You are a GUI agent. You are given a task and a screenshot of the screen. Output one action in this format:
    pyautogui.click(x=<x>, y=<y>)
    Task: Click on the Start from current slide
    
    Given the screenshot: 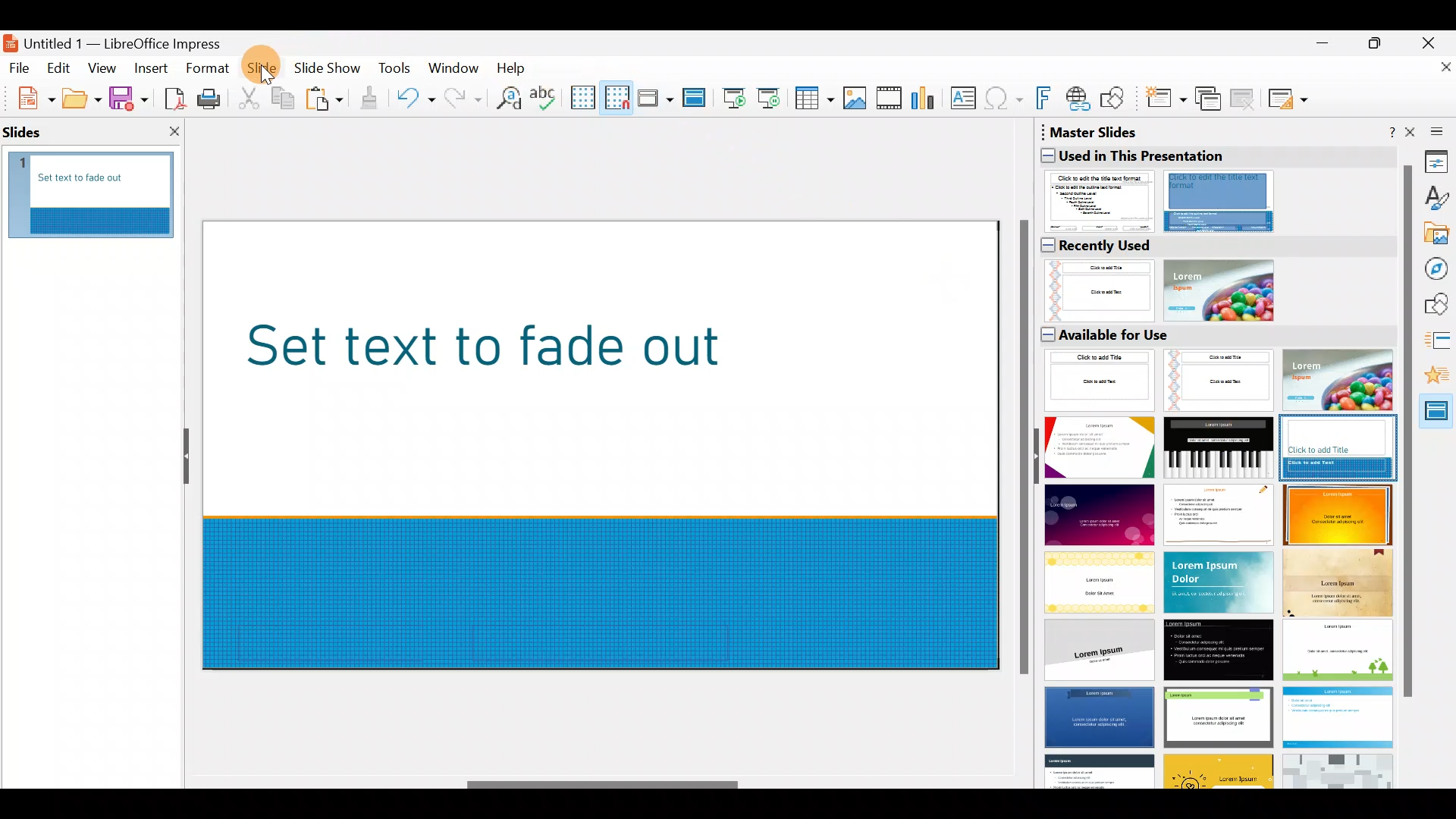 What is the action you would take?
    pyautogui.click(x=773, y=97)
    